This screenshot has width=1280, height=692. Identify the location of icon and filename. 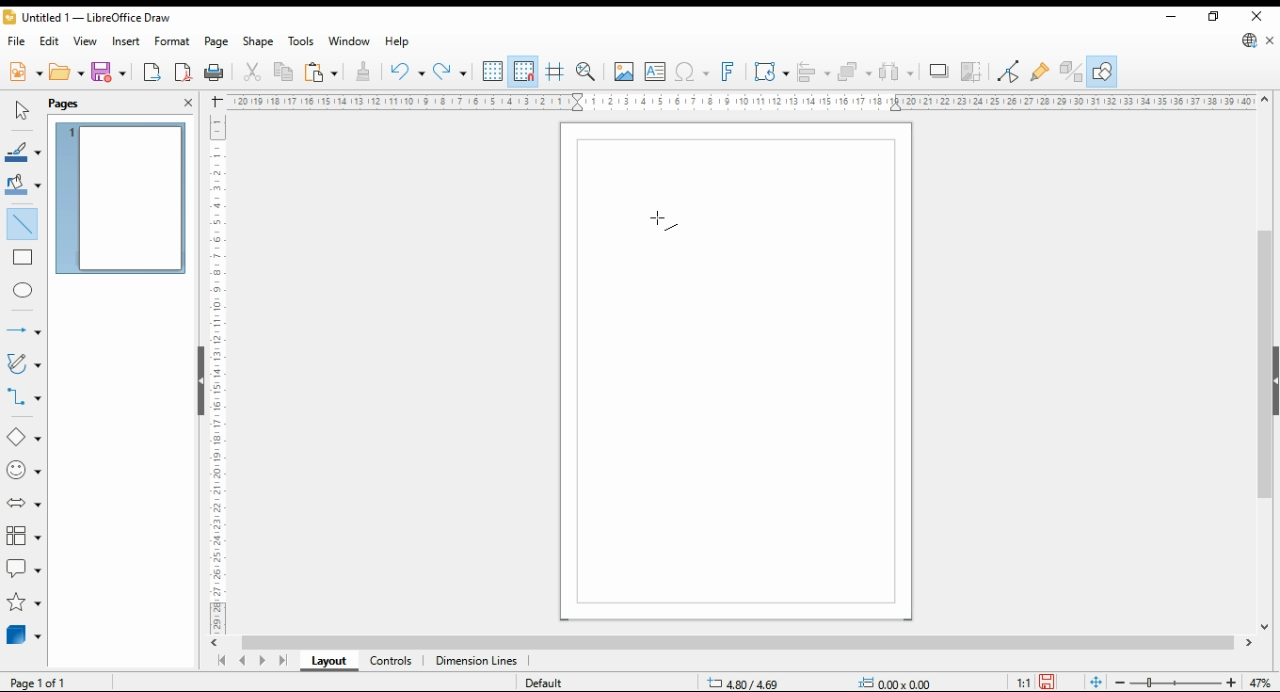
(90, 20).